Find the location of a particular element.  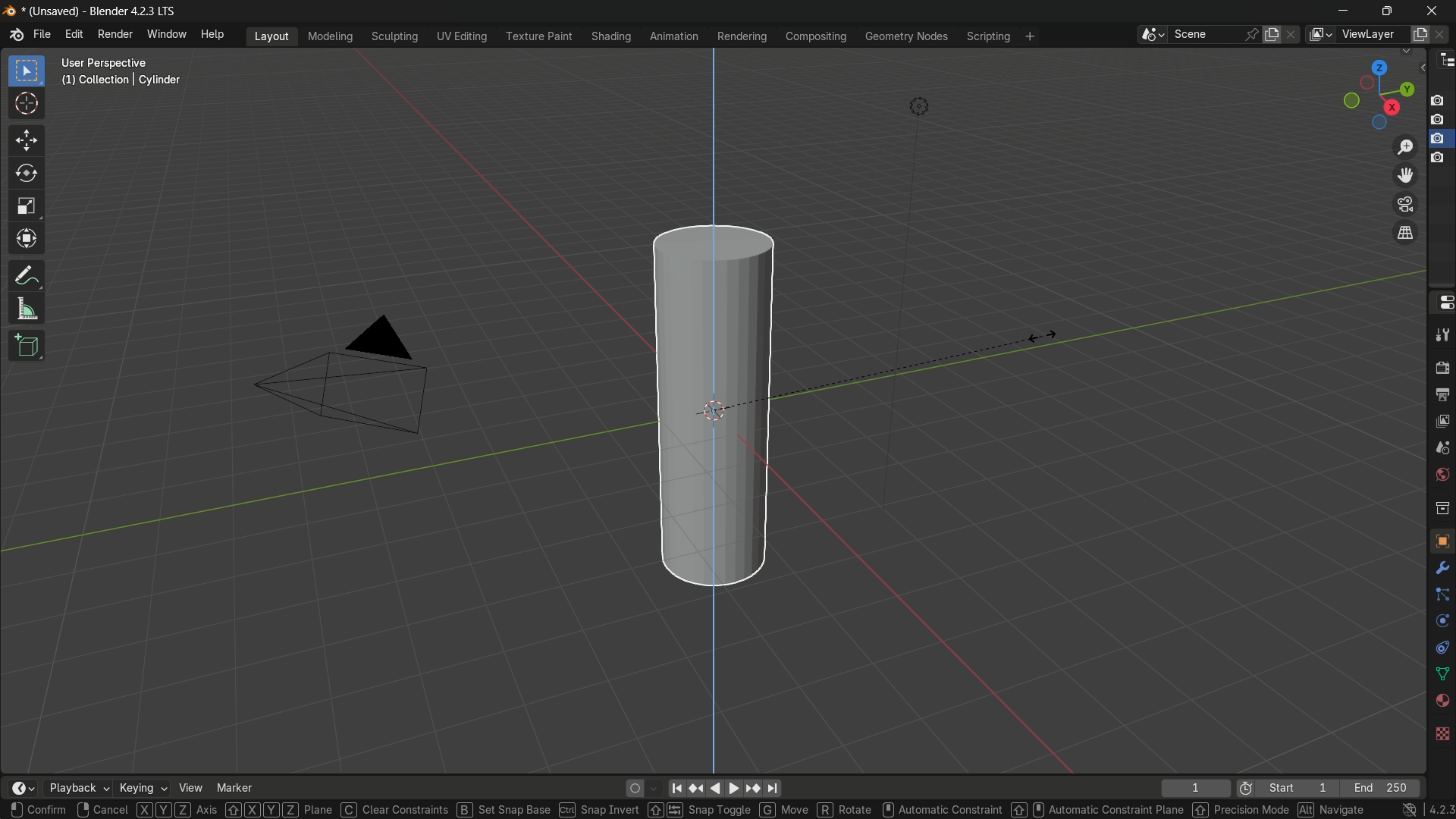

texture paint is located at coordinates (538, 36).